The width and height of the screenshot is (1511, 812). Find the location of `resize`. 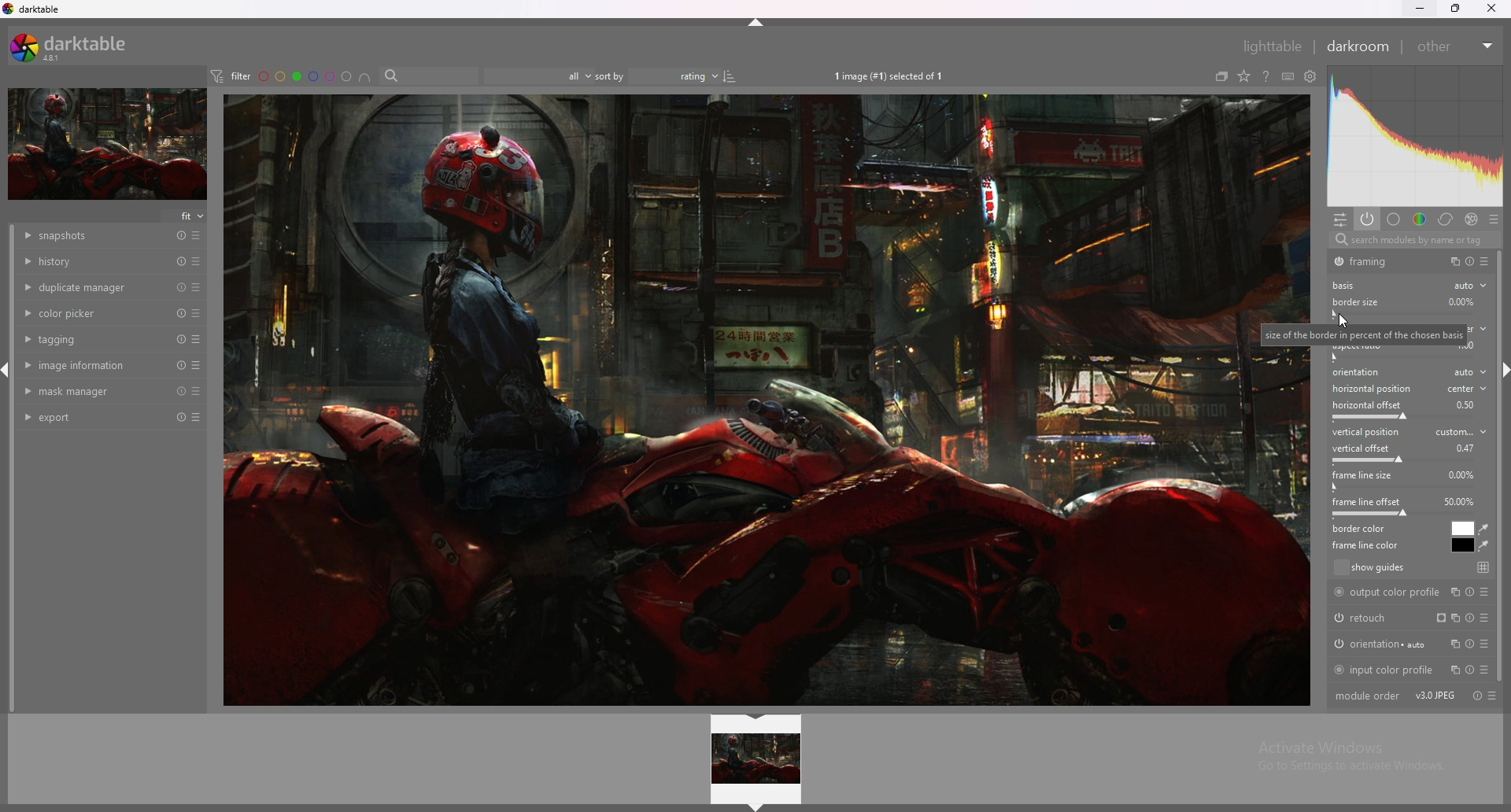

resize is located at coordinates (1458, 8).